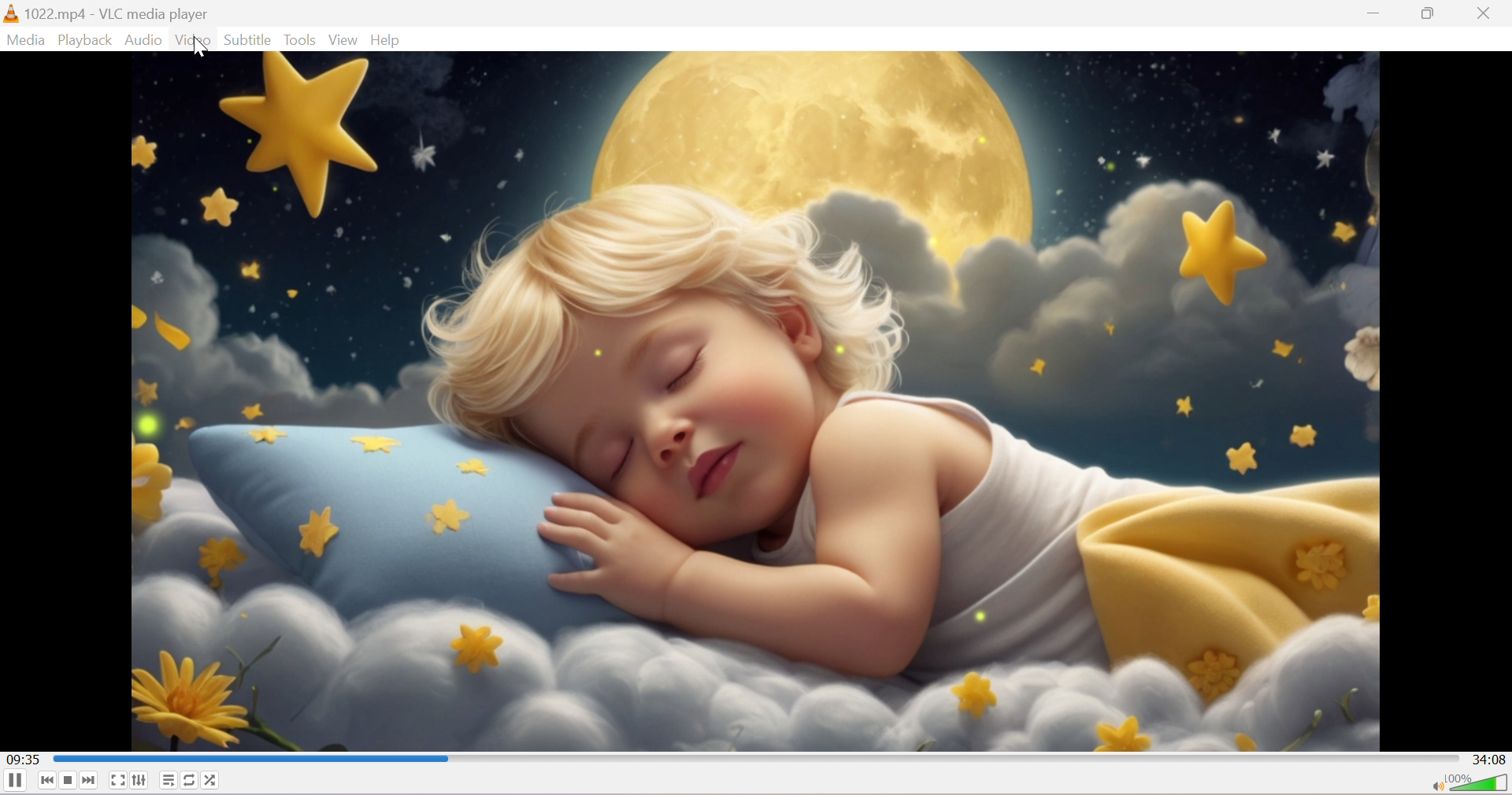 The width and height of the screenshot is (1512, 795). What do you see at coordinates (386, 39) in the screenshot?
I see `Help` at bounding box center [386, 39].